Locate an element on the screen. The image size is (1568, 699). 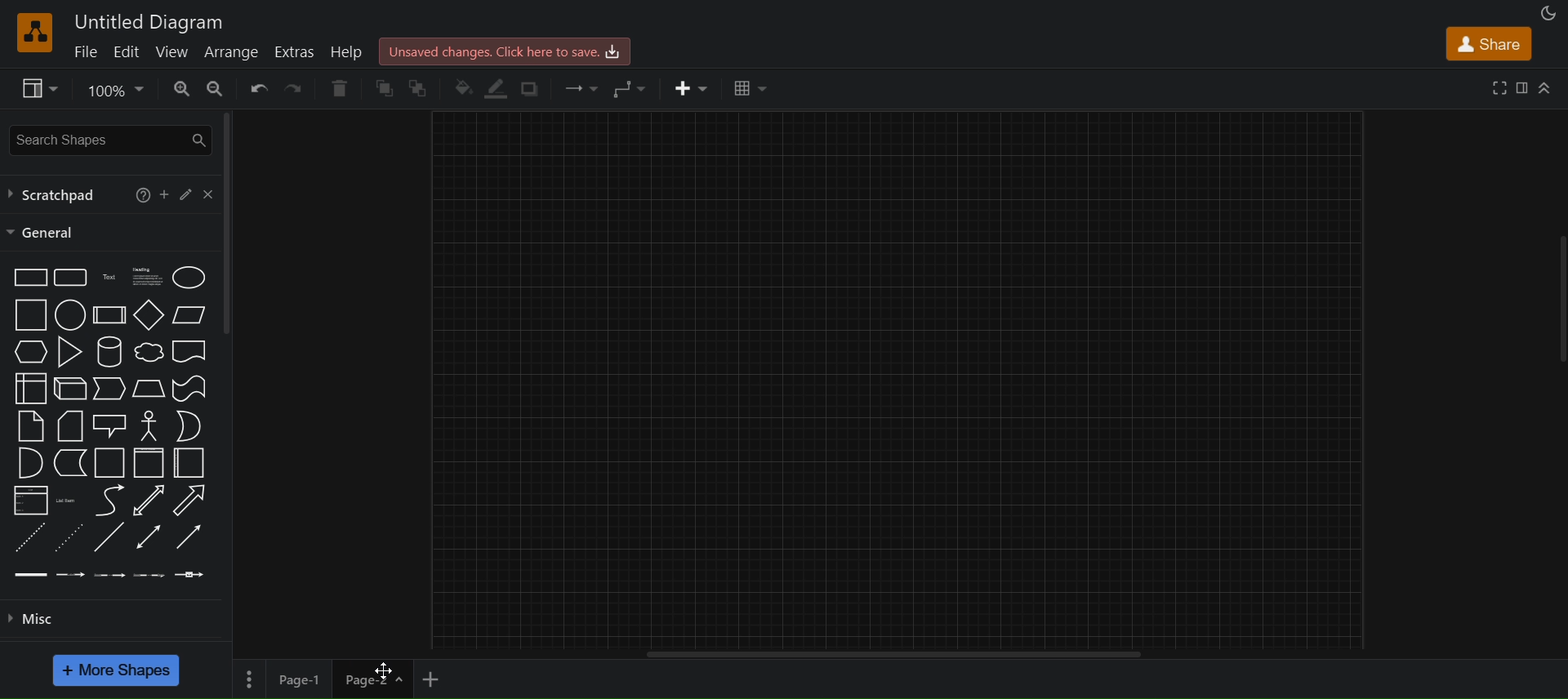
horizontal scroll bar is located at coordinates (888, 655).